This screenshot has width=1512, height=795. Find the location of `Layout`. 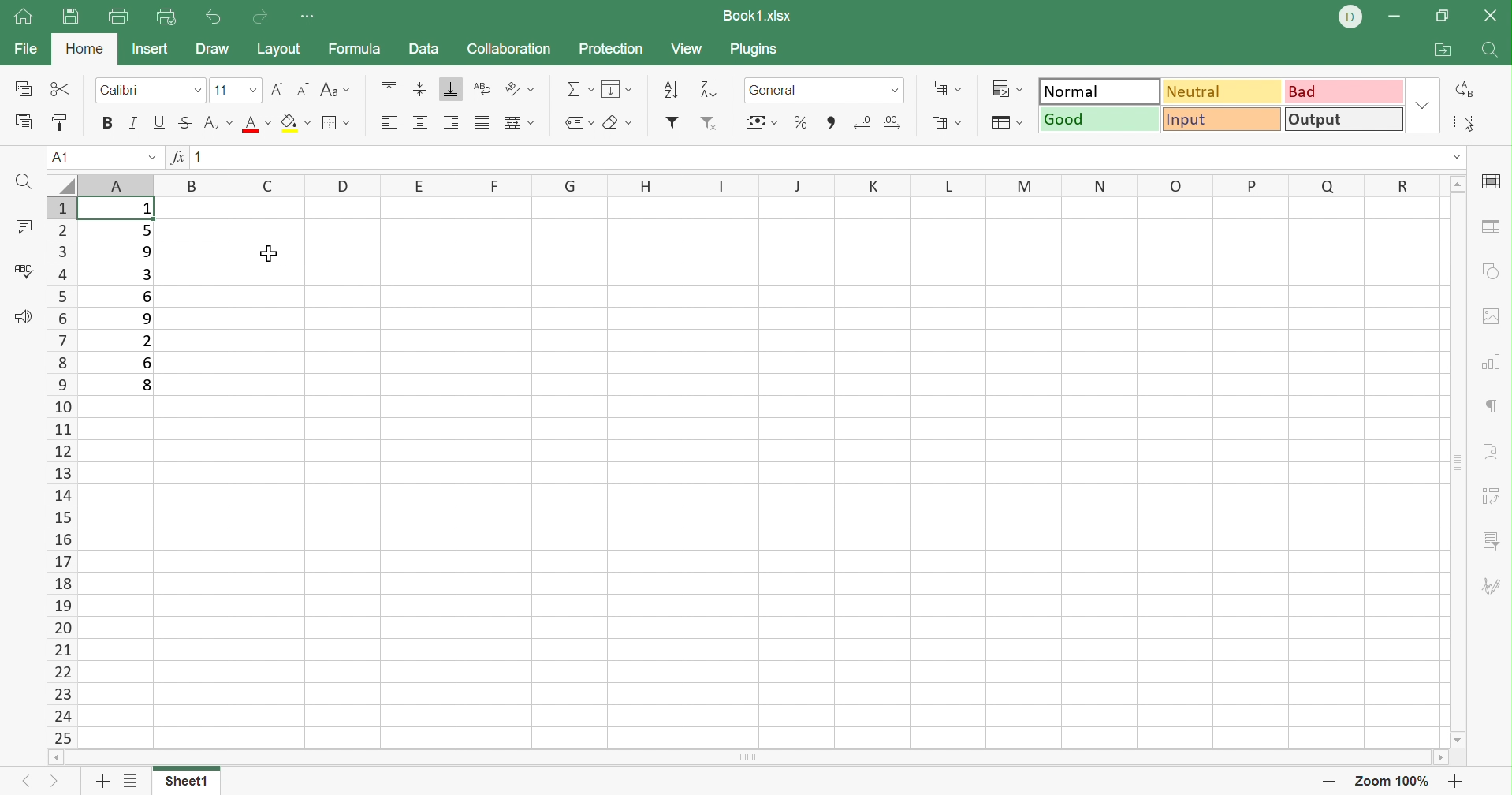

Layout is located at coordinates (279, 47).